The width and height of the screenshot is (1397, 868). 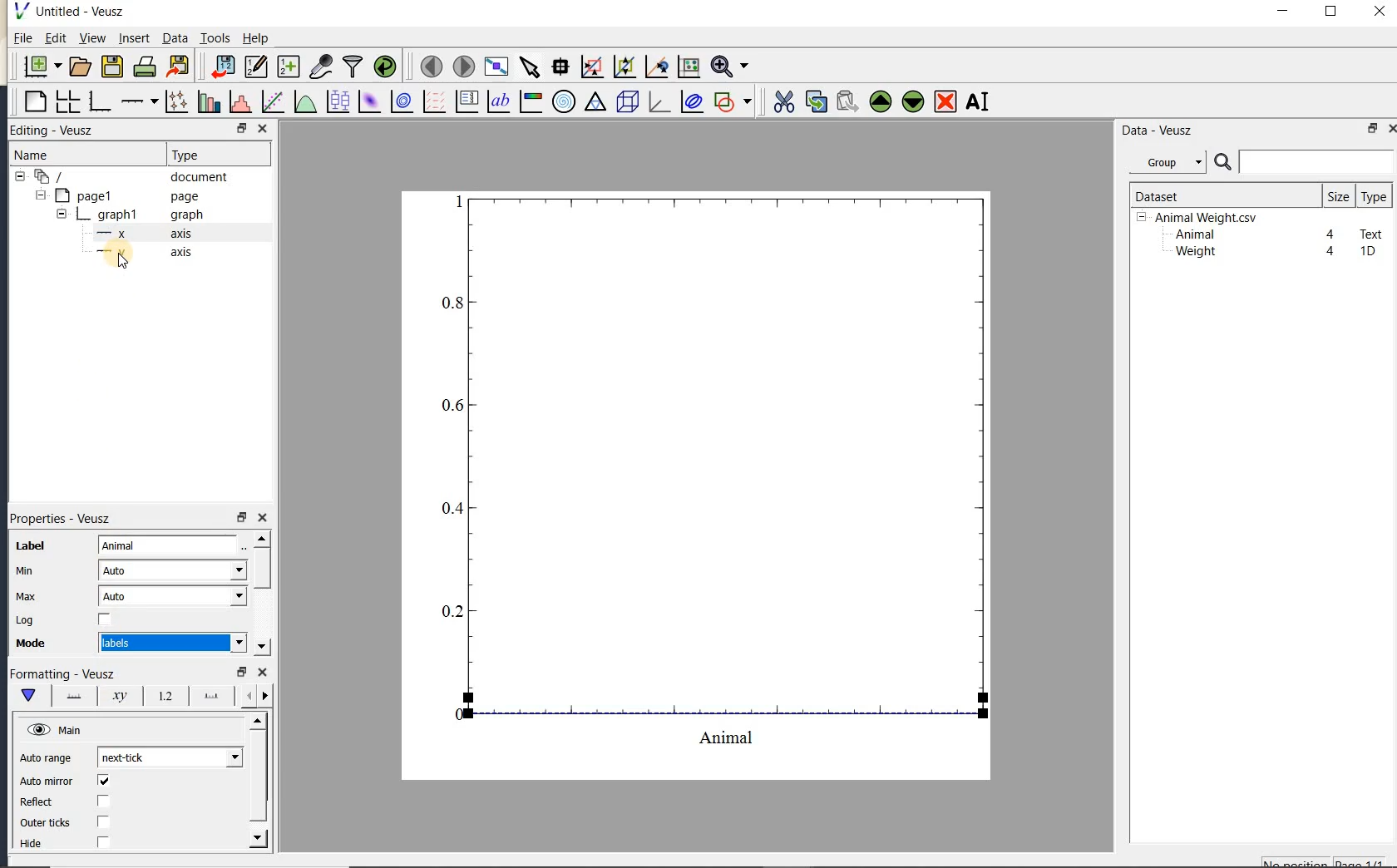 I want to click on Editing - Veusz, so click(x=61, y=131).